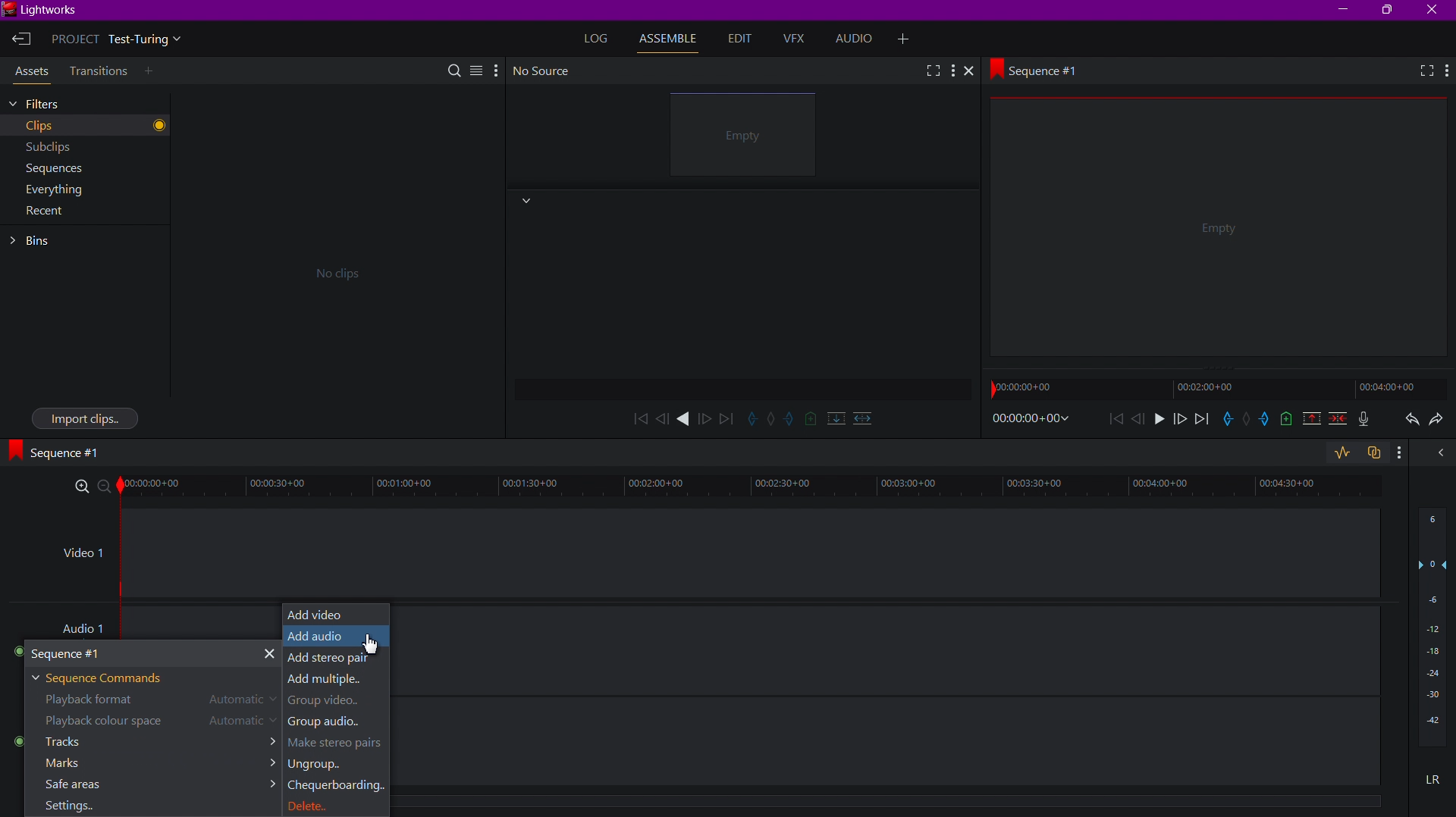 This screenshot has width=1456, height=817. What do you see at coordinates (58, 103) in the screenshot?
I see `Filters ` at bounding box center [58, 103].